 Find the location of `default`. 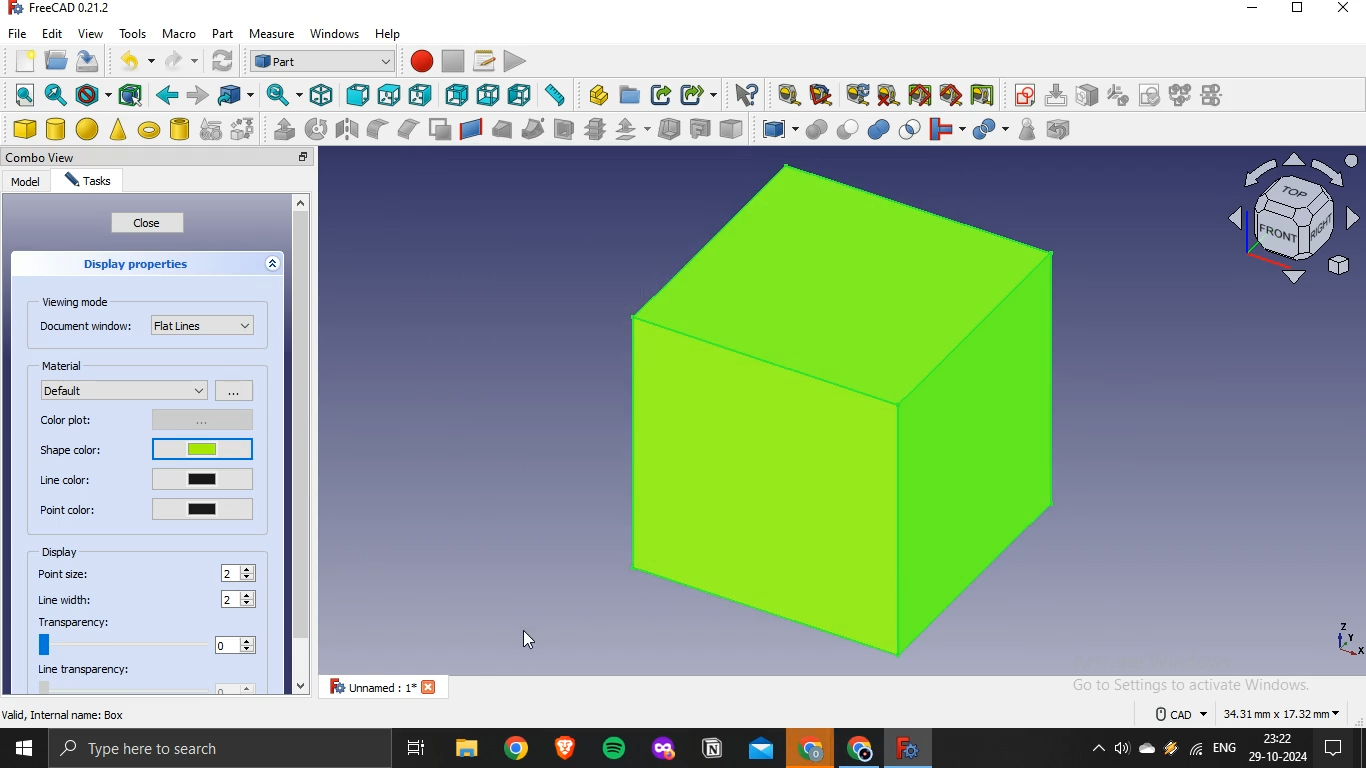

default is located at coordinates (125, 389).